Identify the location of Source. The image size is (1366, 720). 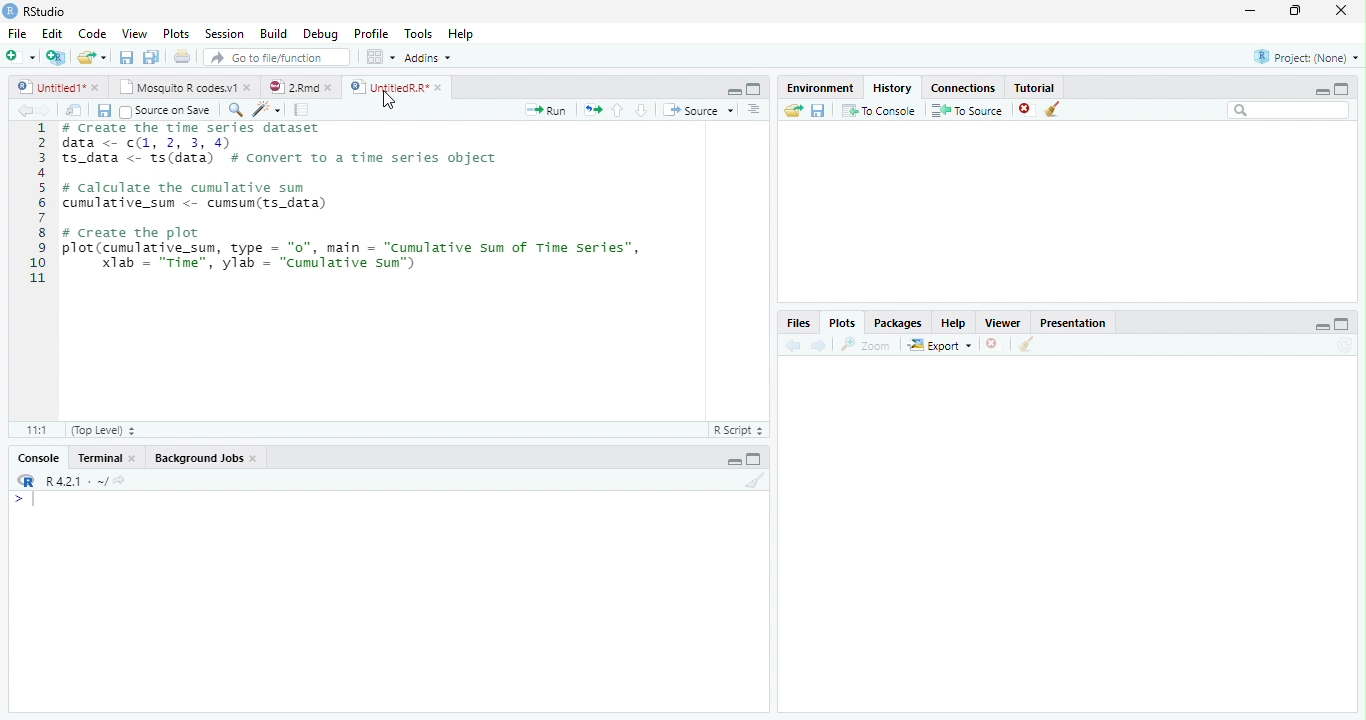
(697, 110).